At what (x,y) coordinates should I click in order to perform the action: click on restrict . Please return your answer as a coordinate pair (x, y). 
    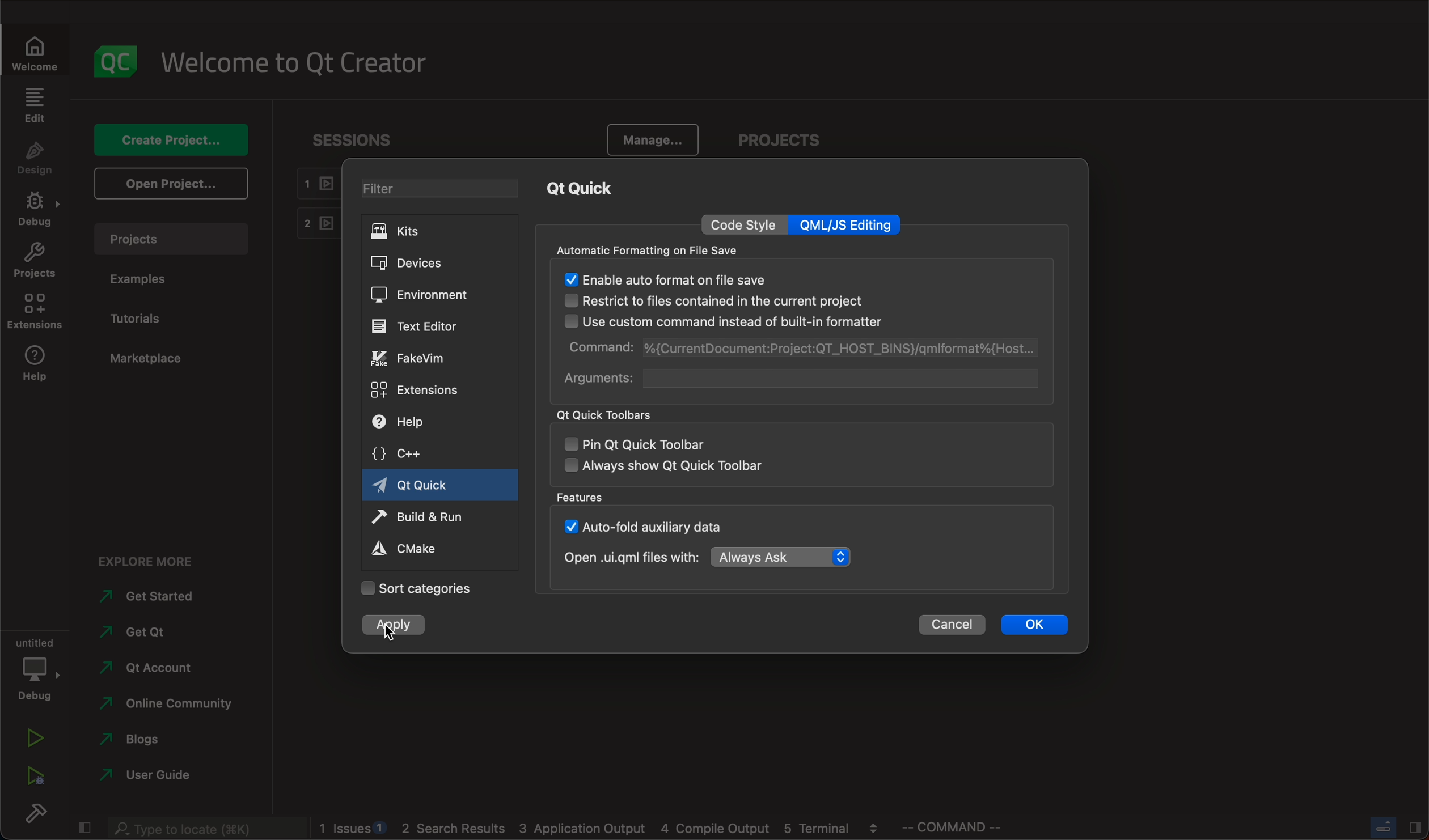
    Looking at the image, I should click on (712, 302).